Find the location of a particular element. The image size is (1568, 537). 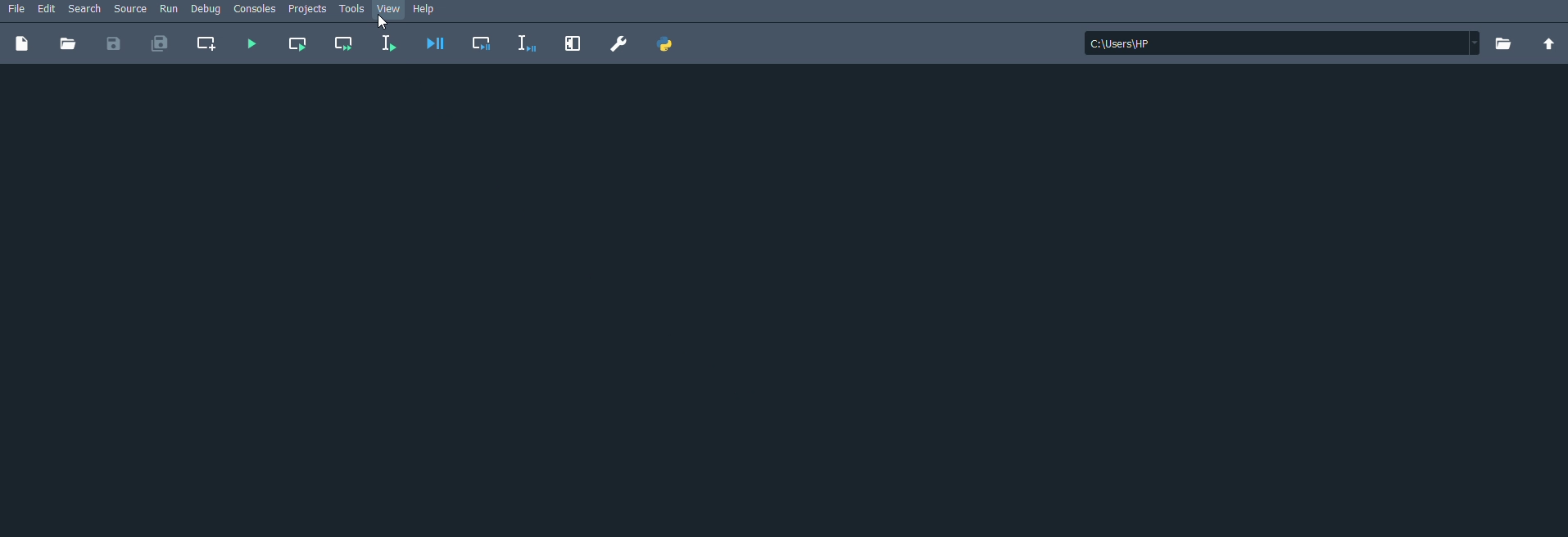

Open file is located at coordinates (68, 43).